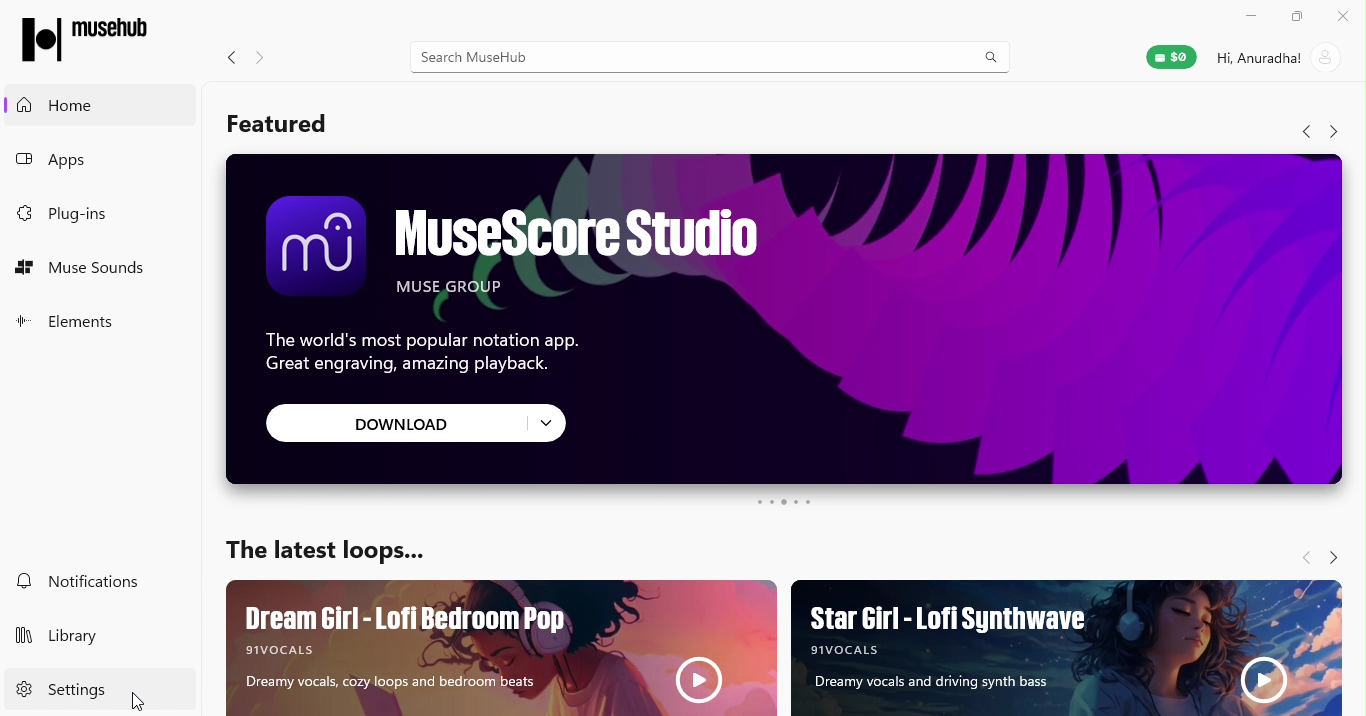 This screenshot has width=1366, height=716. Describe the element at coordinates (1346, 16) in the screenshot. I see `Close` at that location.